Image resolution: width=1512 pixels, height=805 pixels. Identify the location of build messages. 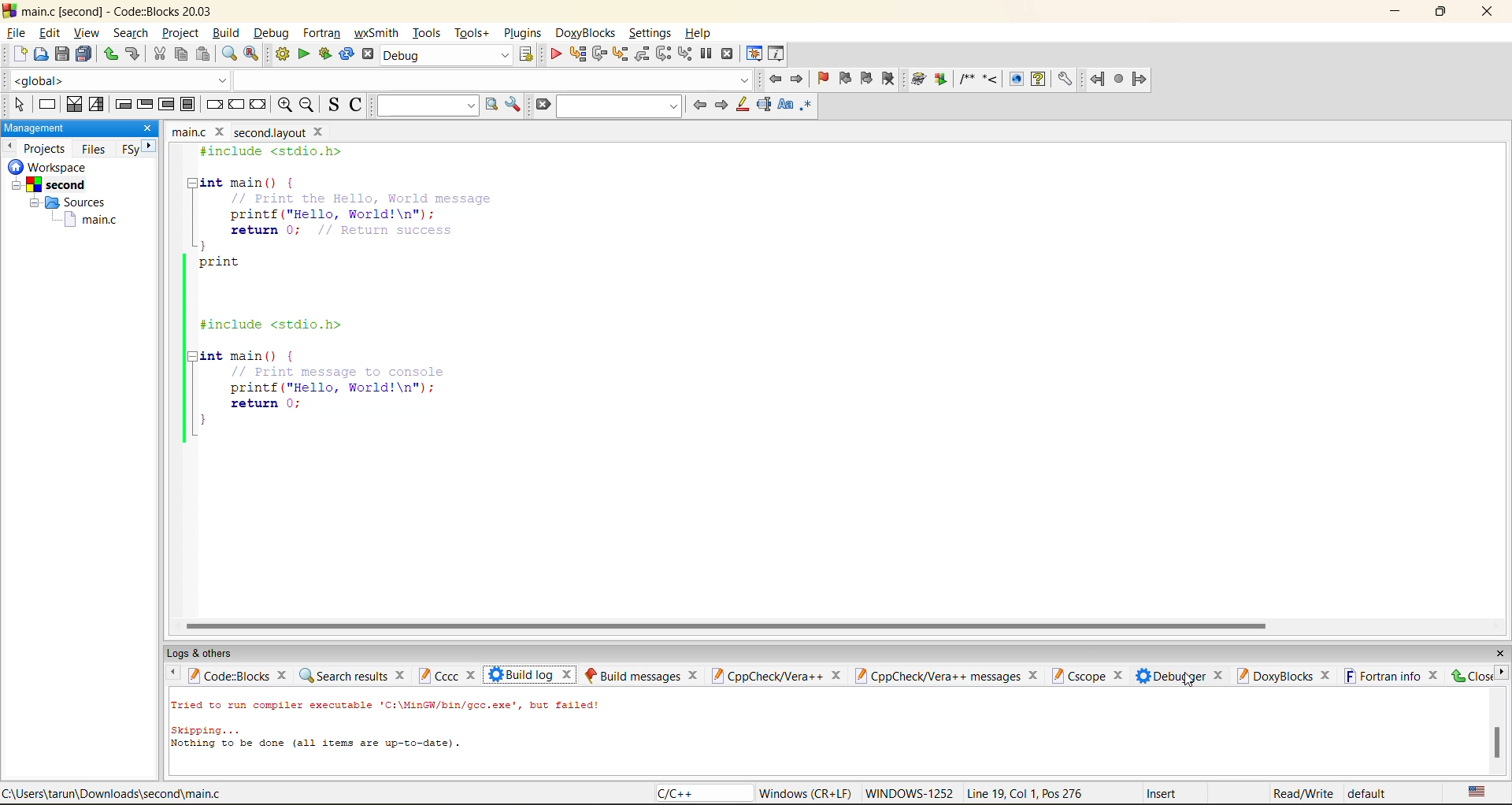
(643, 673).